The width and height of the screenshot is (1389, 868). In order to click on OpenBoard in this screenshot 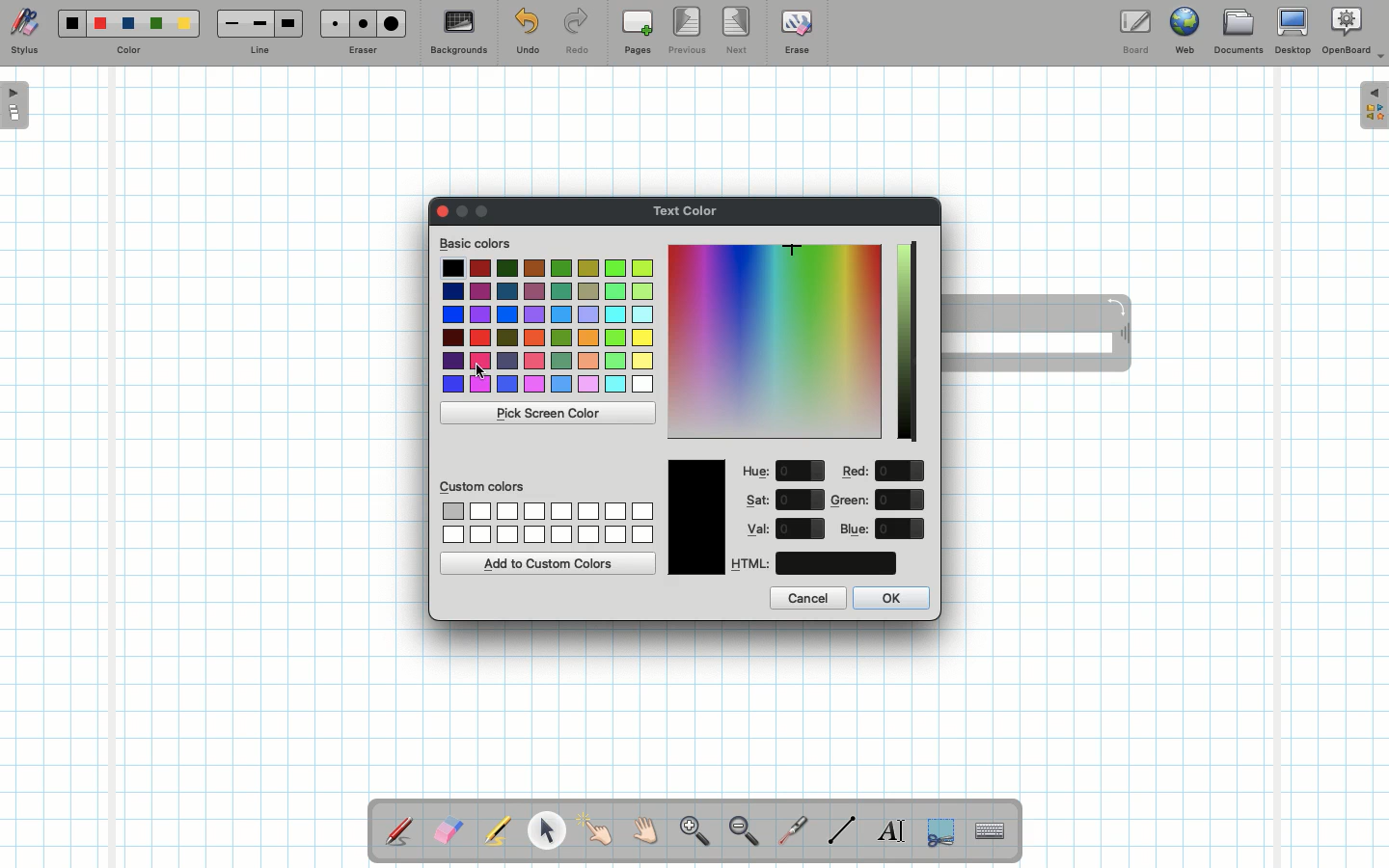, I will do `click(1353, 31)`.